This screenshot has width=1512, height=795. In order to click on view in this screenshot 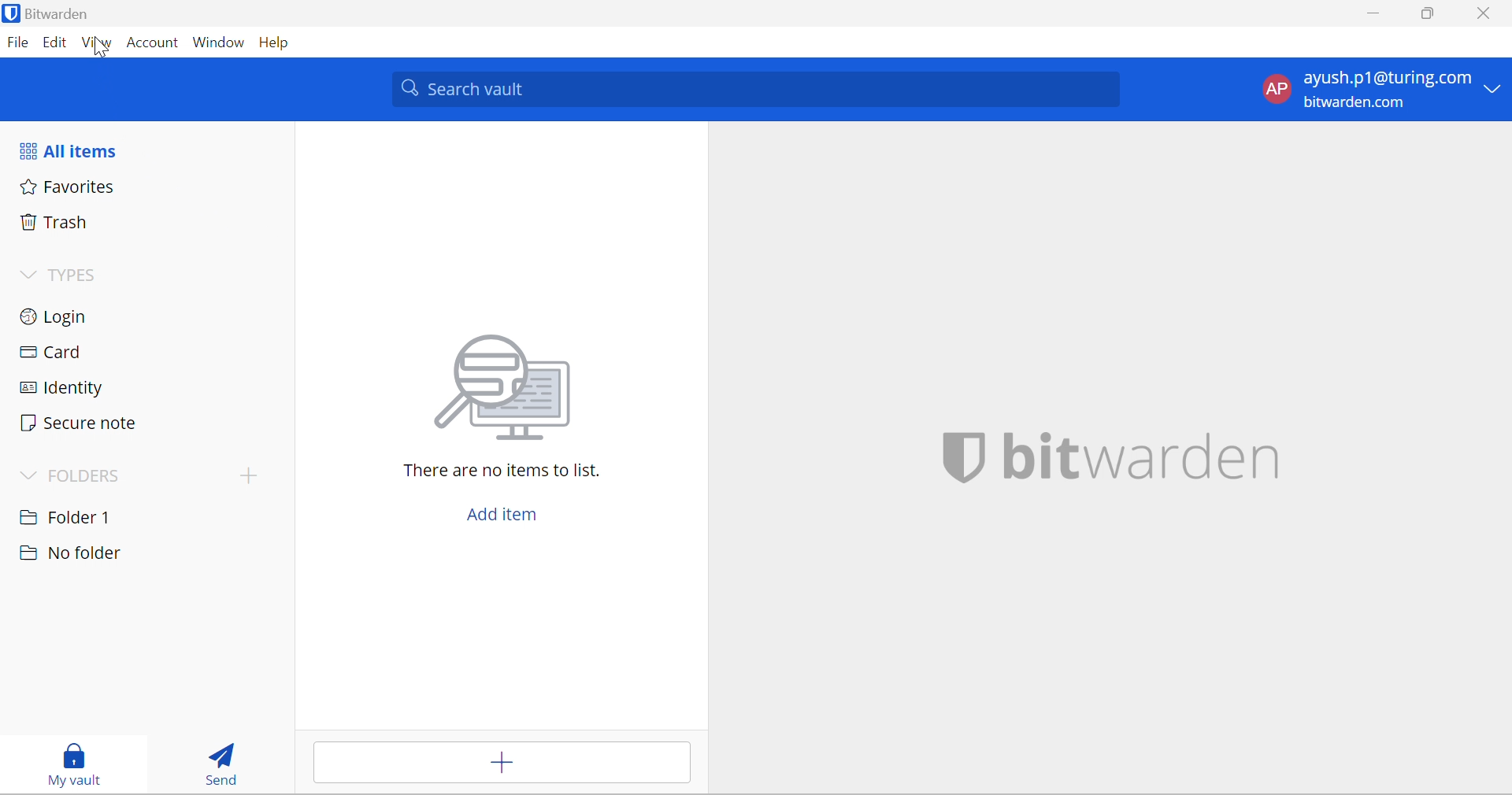, I will do `click(95, 43)`.